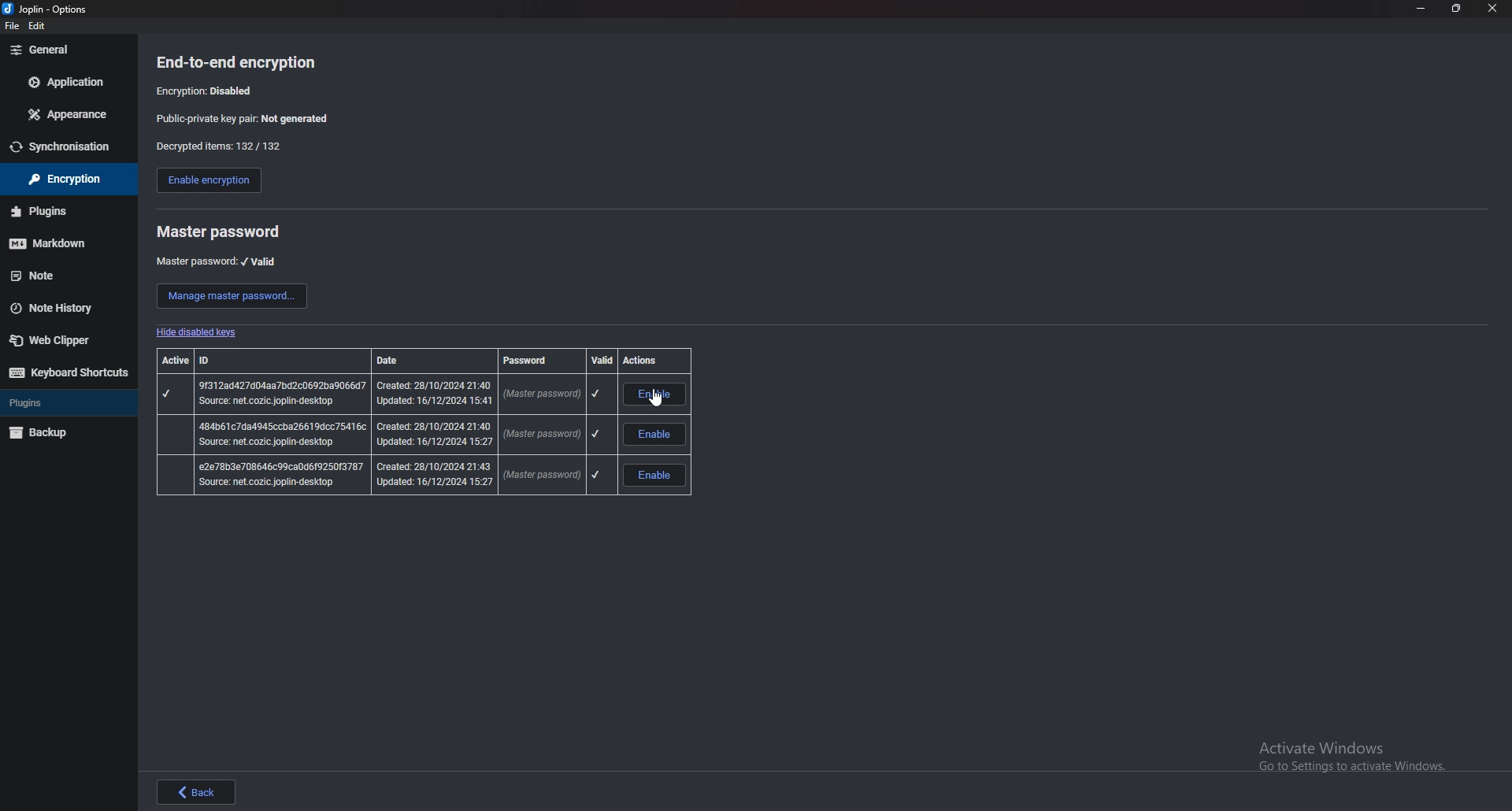  I want to click on appearance, so click(65, 115).